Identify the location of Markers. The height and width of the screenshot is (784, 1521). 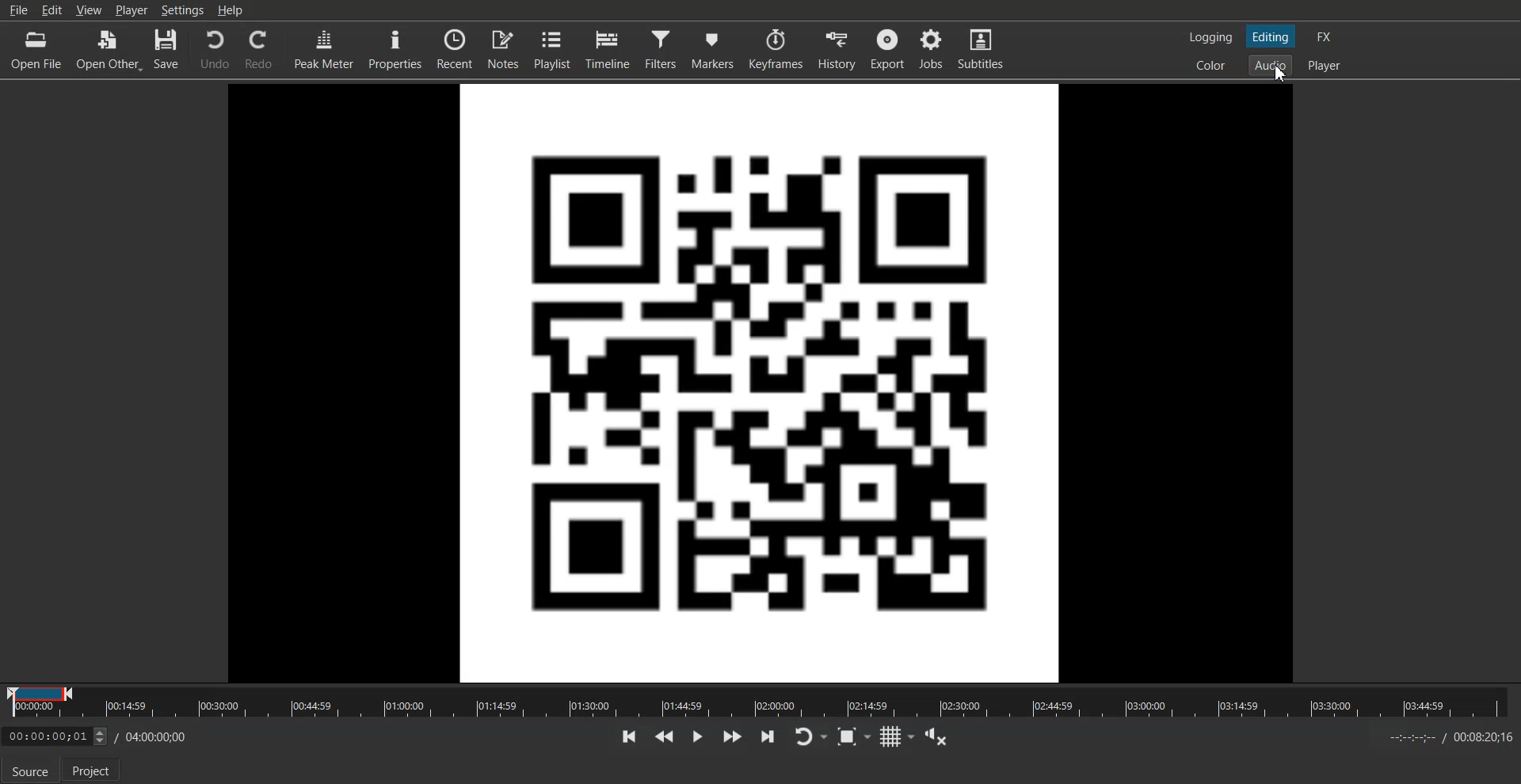
(713, 50).